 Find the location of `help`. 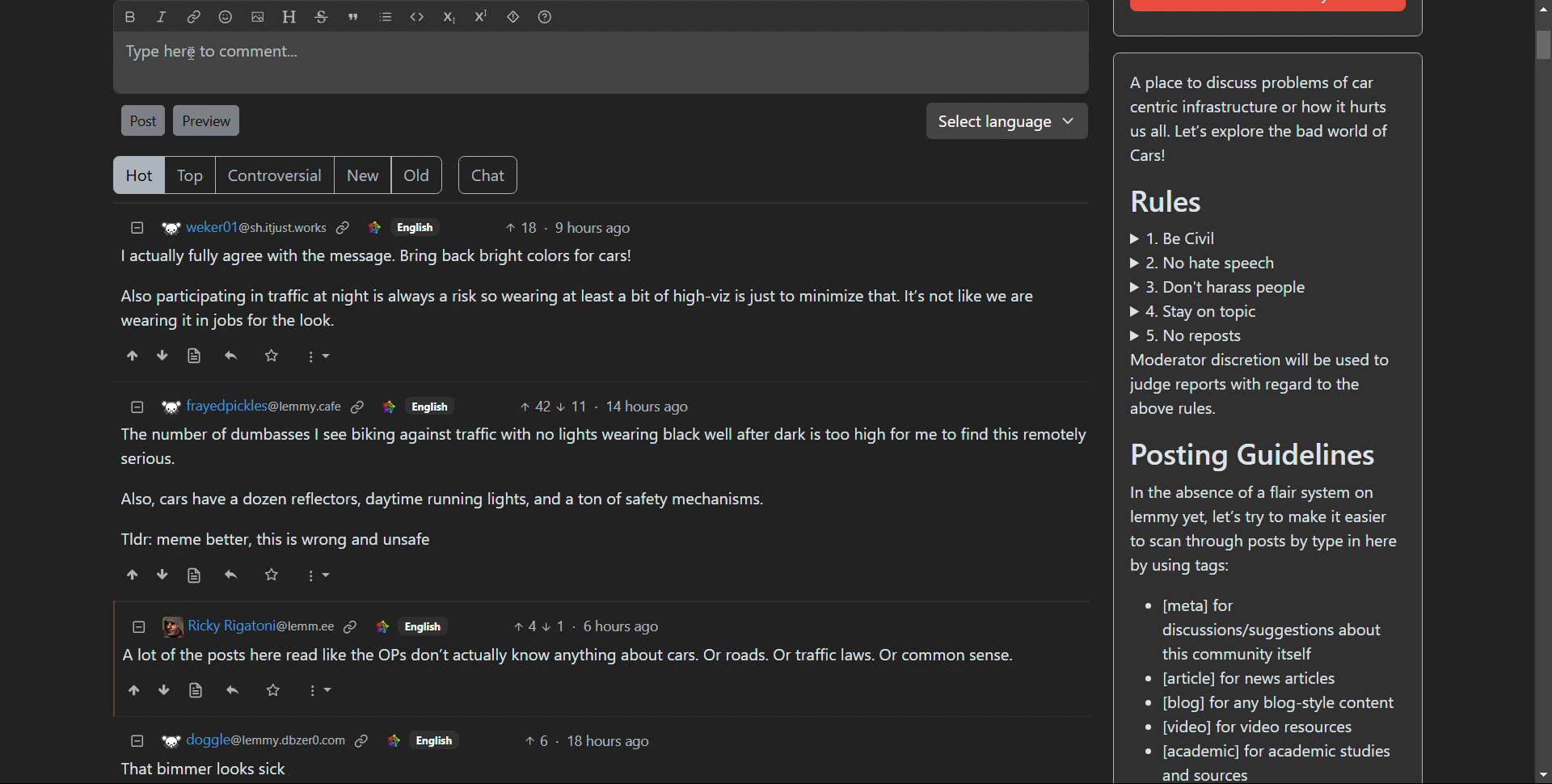

help is located at coordinates (544, 17).